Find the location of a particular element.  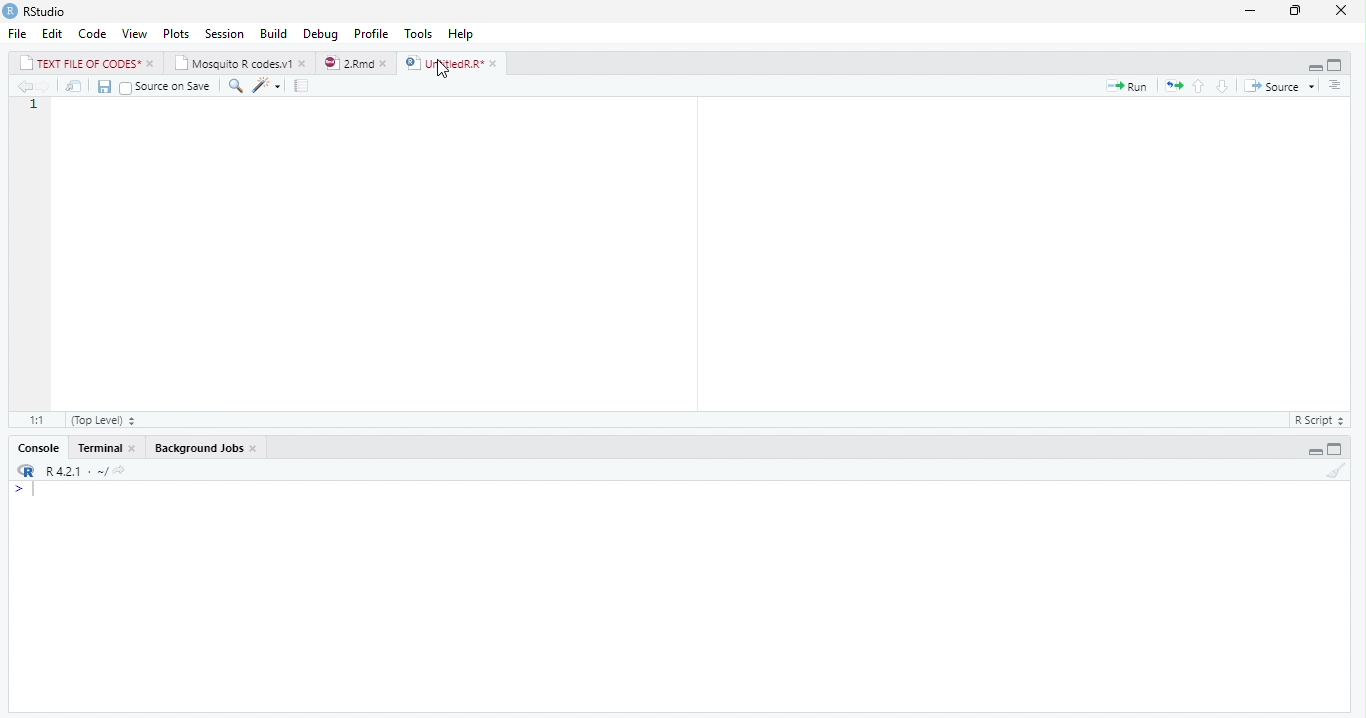

Tools is located at coordinates (421, 33).